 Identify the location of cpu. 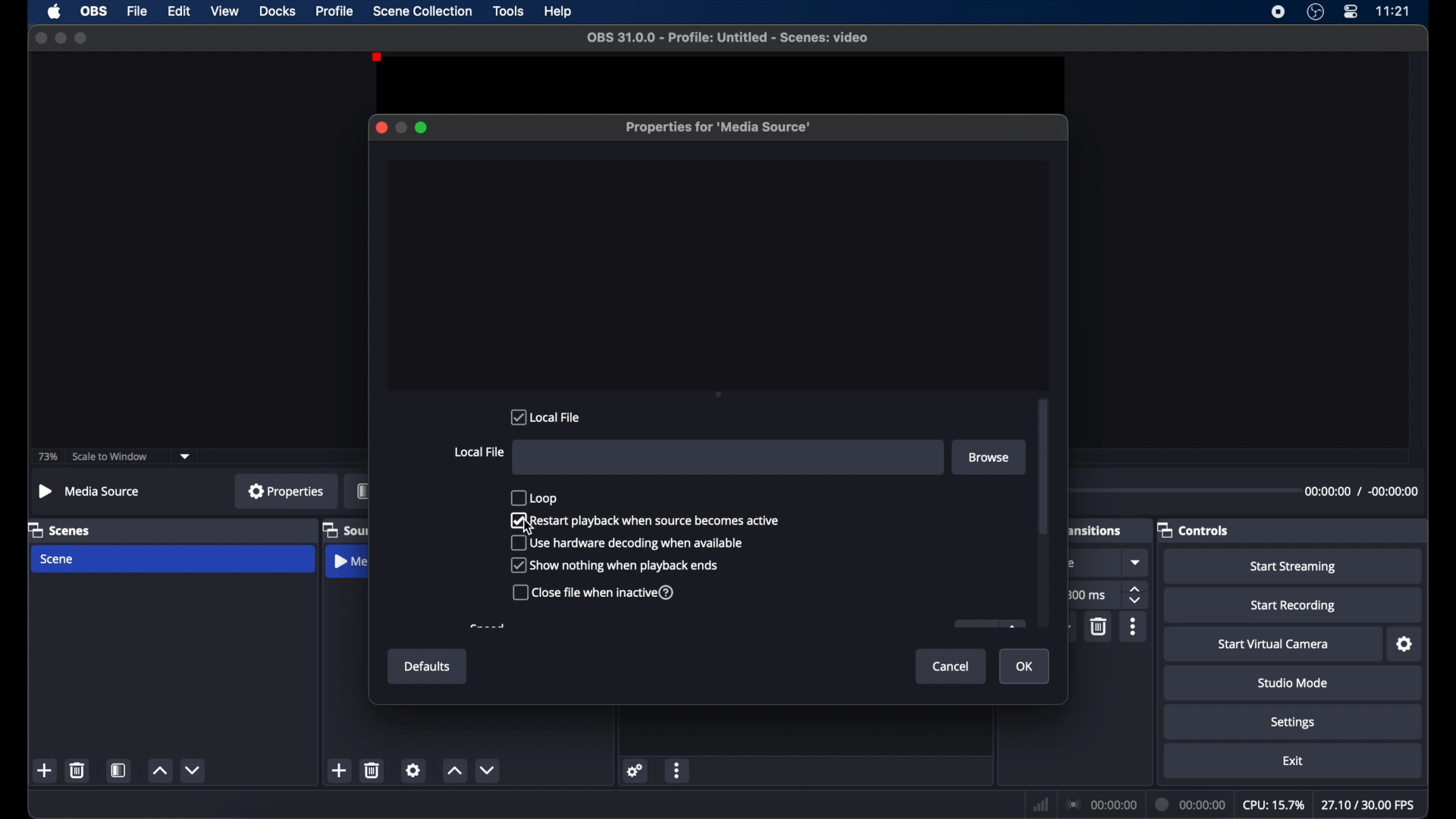
(1274, 805).